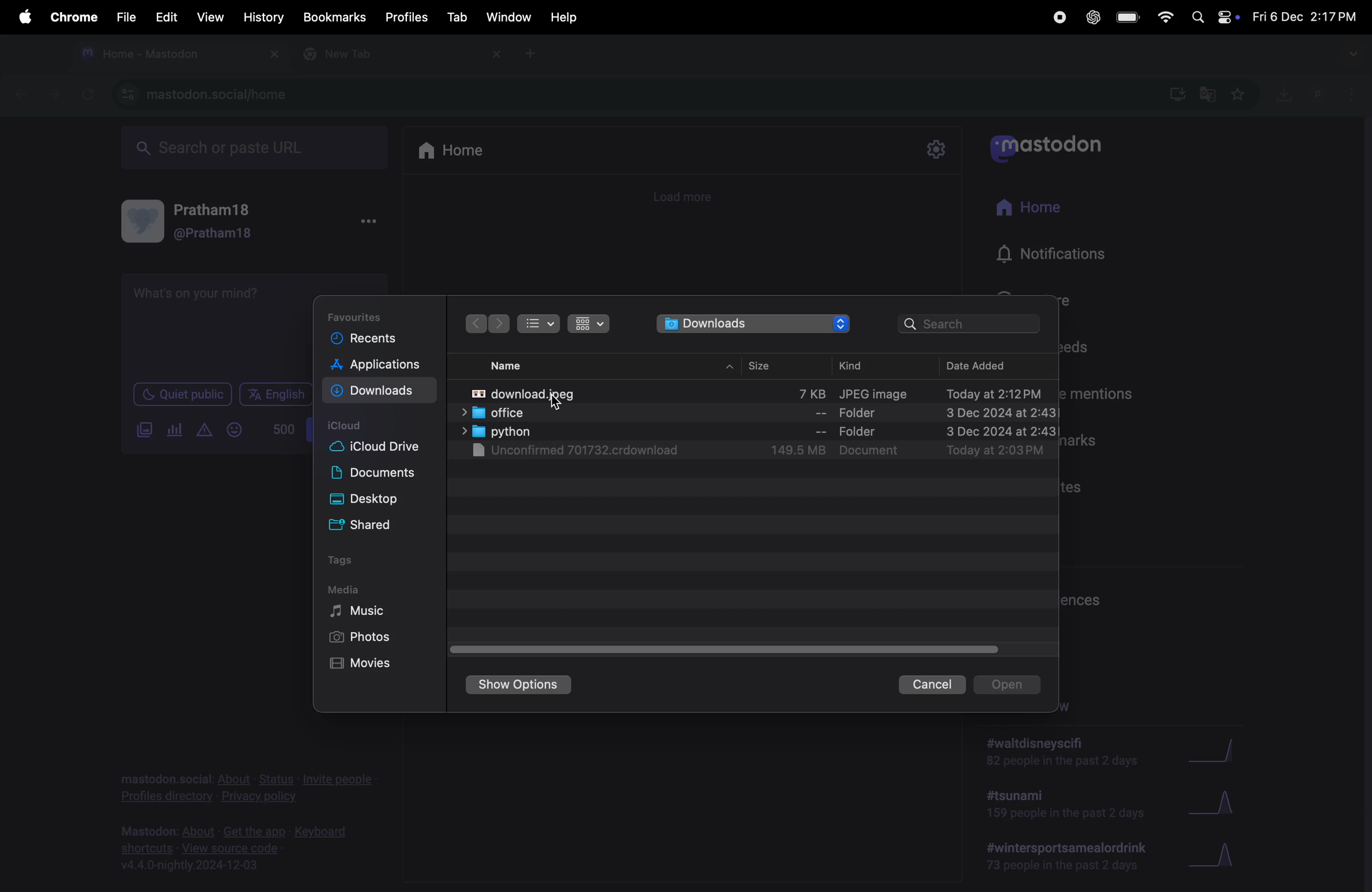 This screenshot has height=892, width=1372. I want to click on media, so click(346, 590).